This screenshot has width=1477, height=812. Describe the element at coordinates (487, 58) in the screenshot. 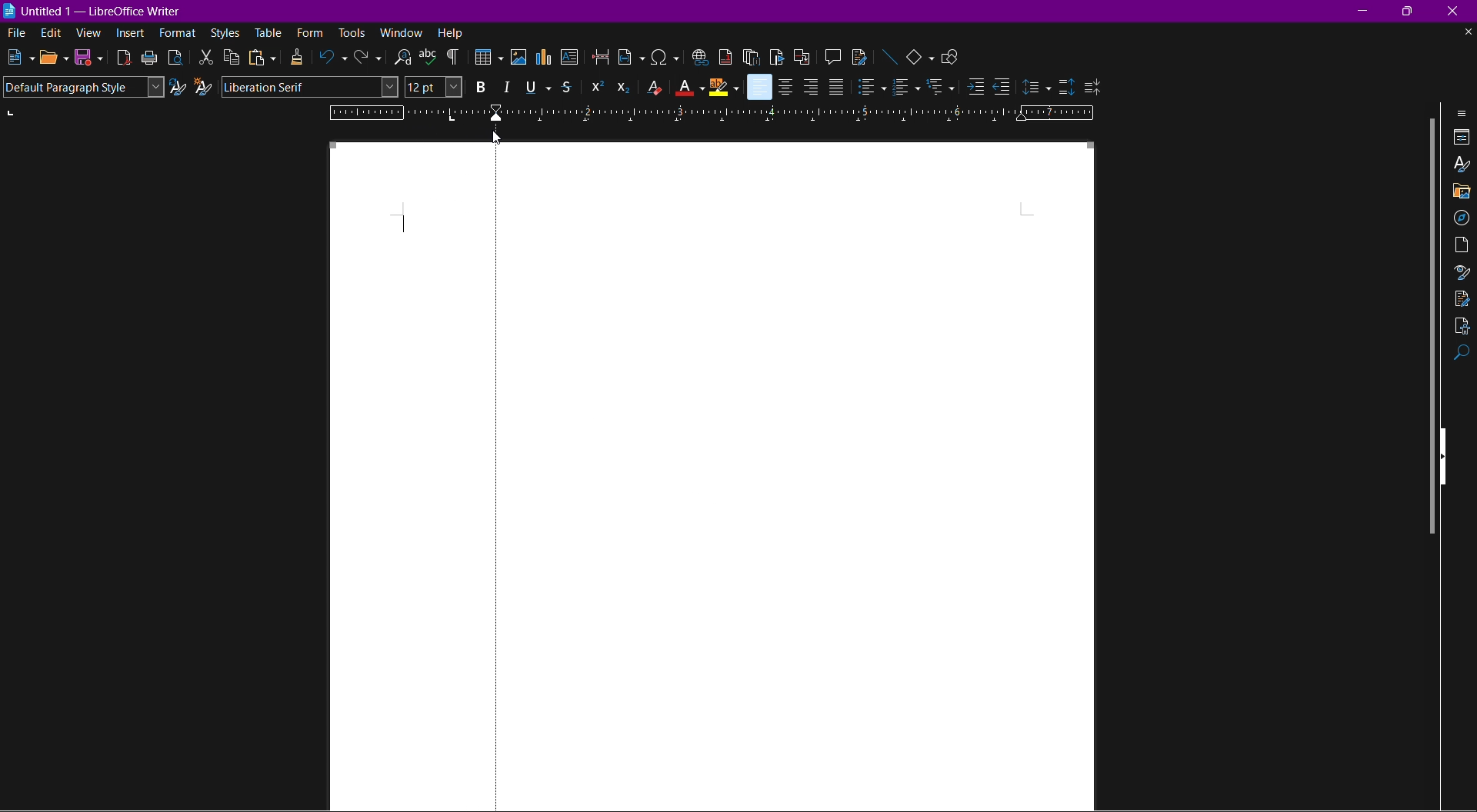

I see `Table` at that location.